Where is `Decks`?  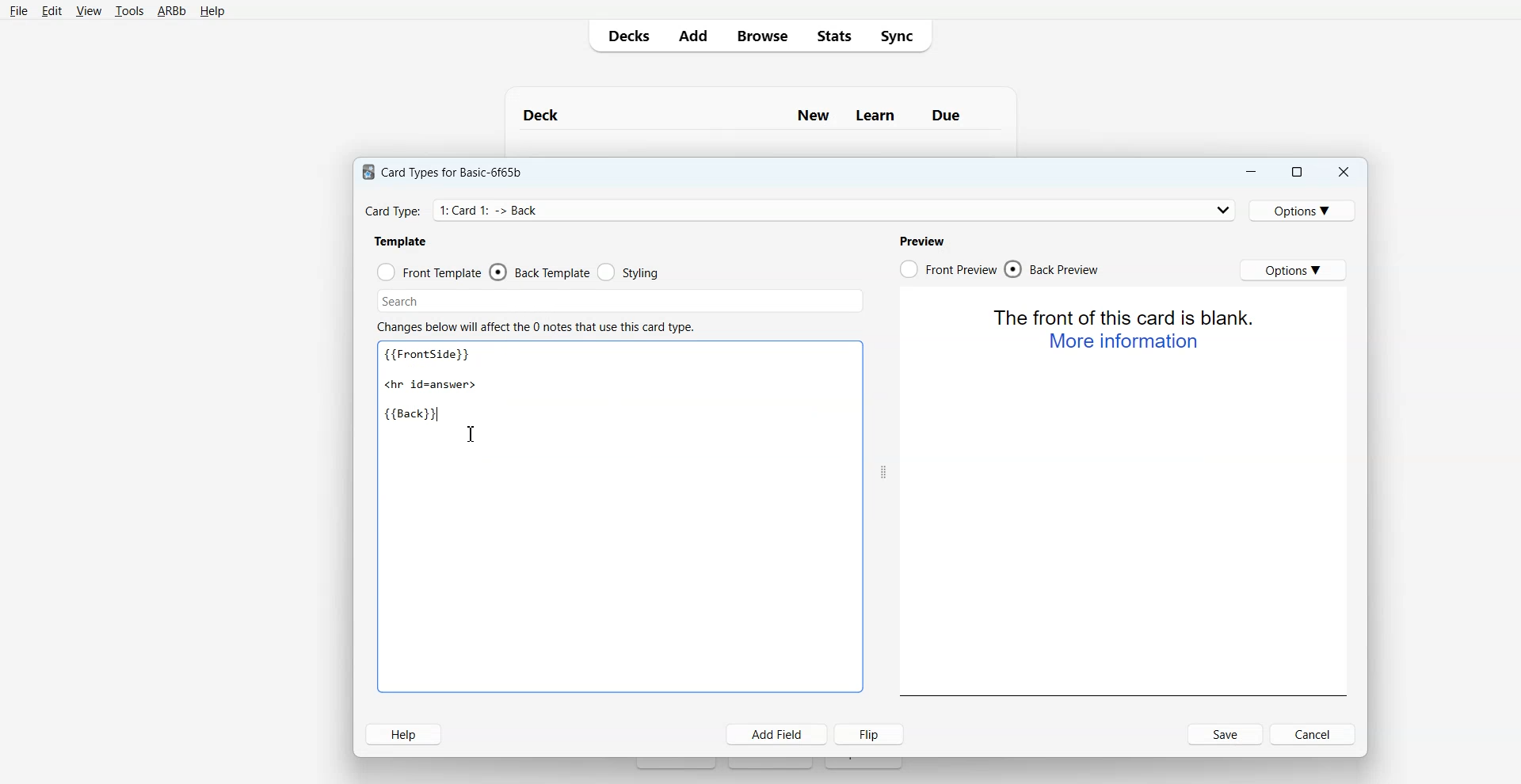 Decks is located at coordinates (625, 36).